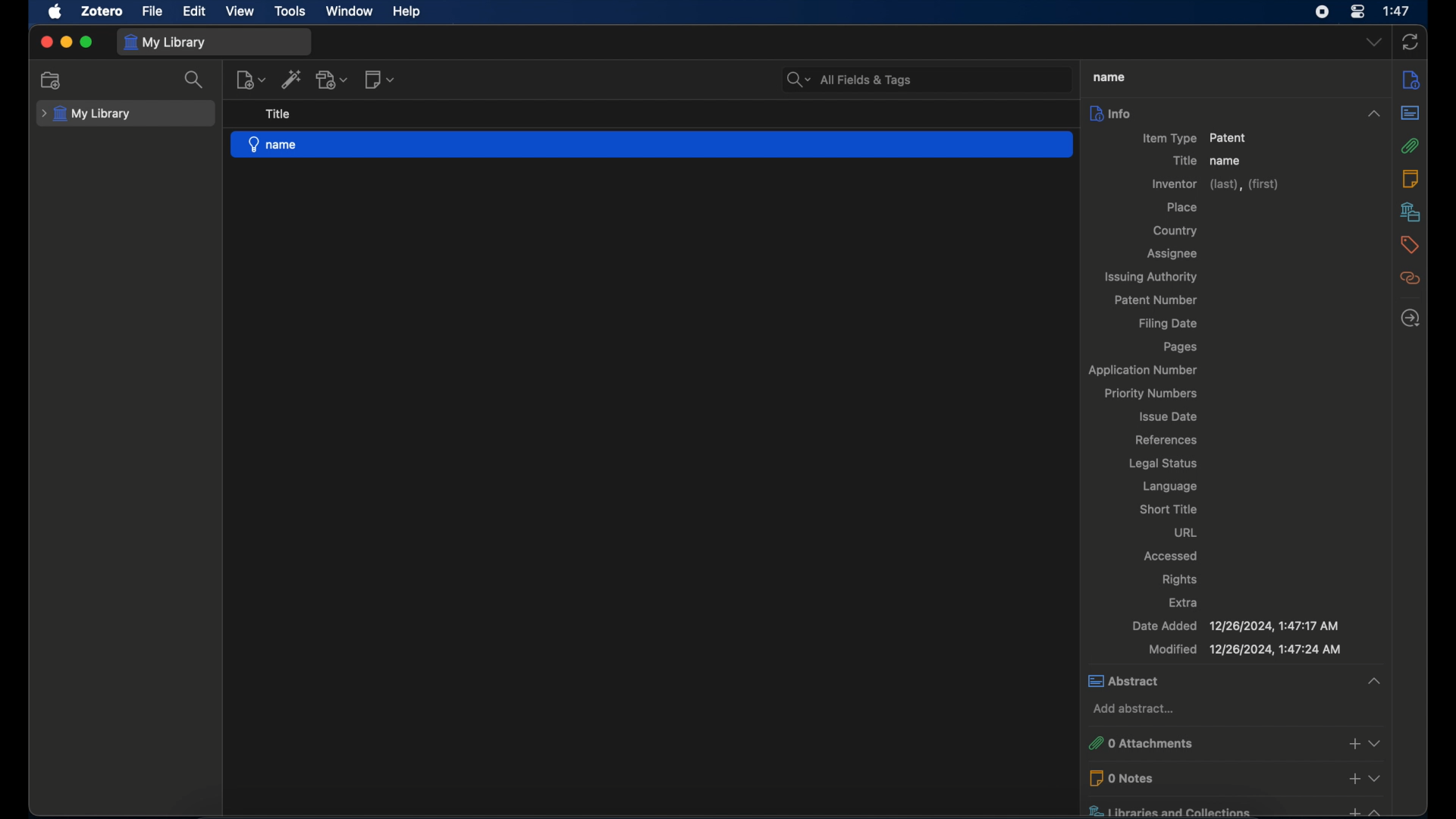 This screenshot has height=819, width=1456. I want to click on 0 attachments, so click(1194, 739).